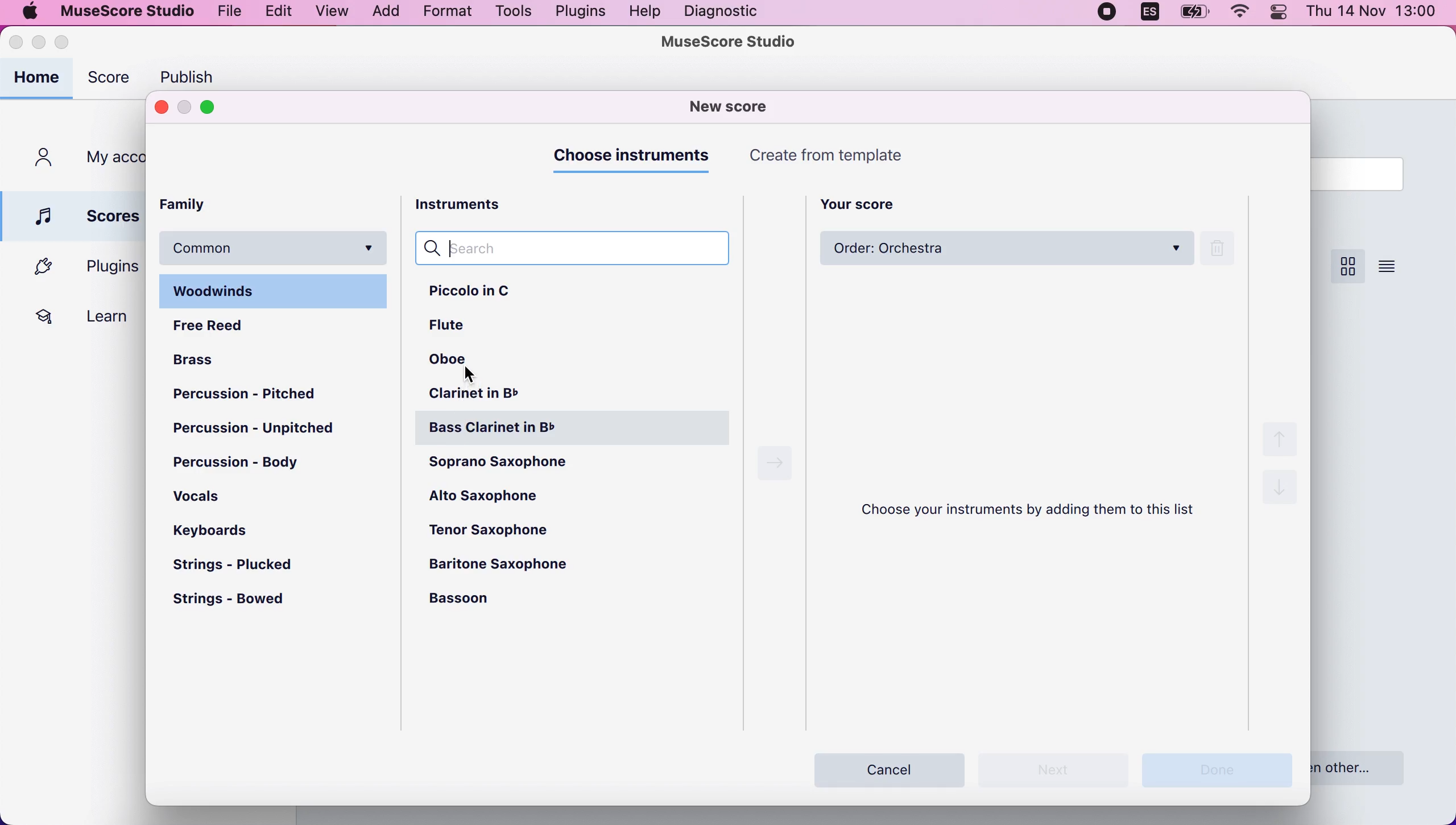 This screenshot has width=1456, height=825. What do you see at coordinates (194, 74) in the screenshot?
I see `publish` at bounding box center [194, 74].